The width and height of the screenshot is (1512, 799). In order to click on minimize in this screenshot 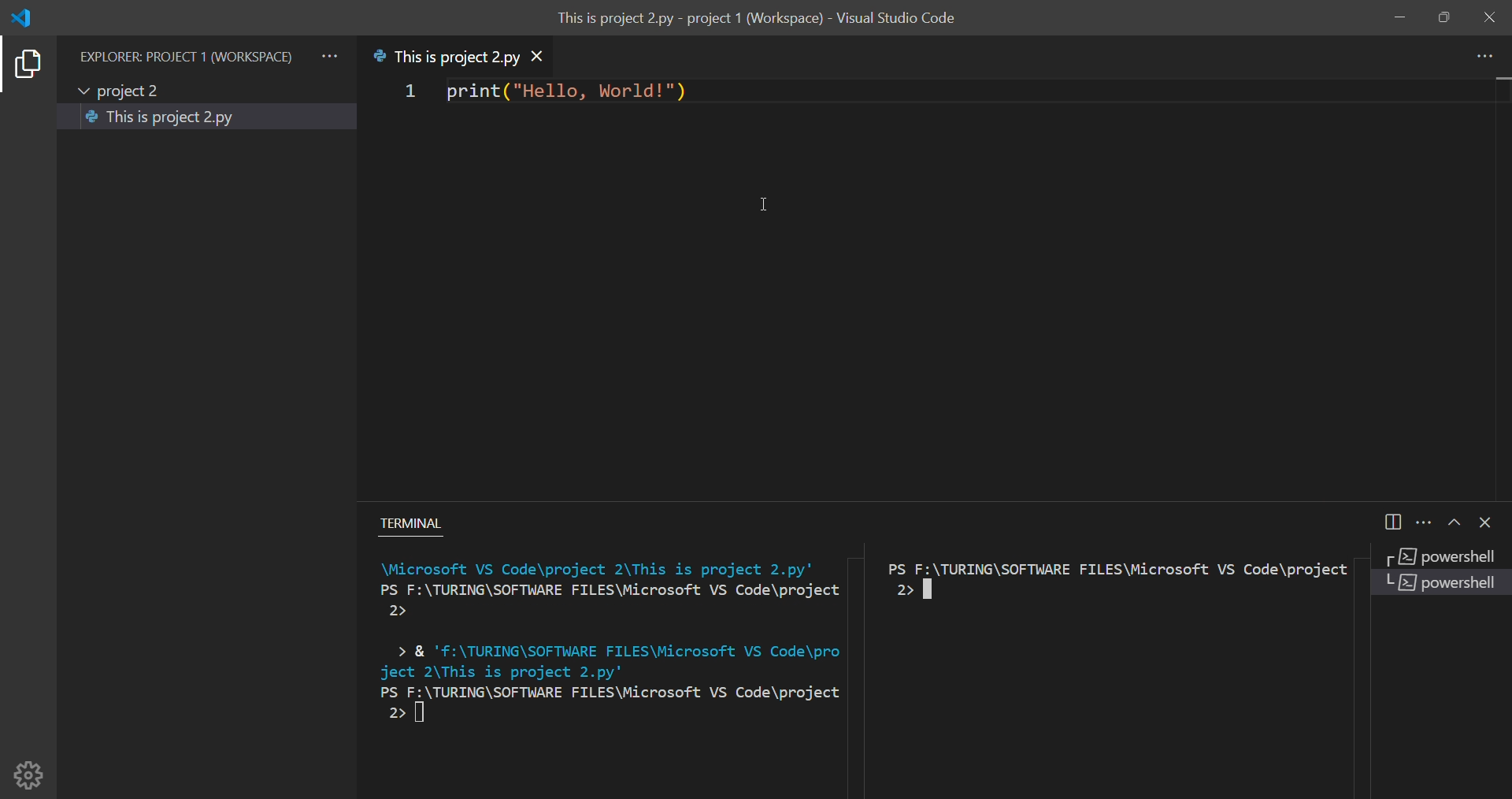, I will do `click(1397, 17)`.